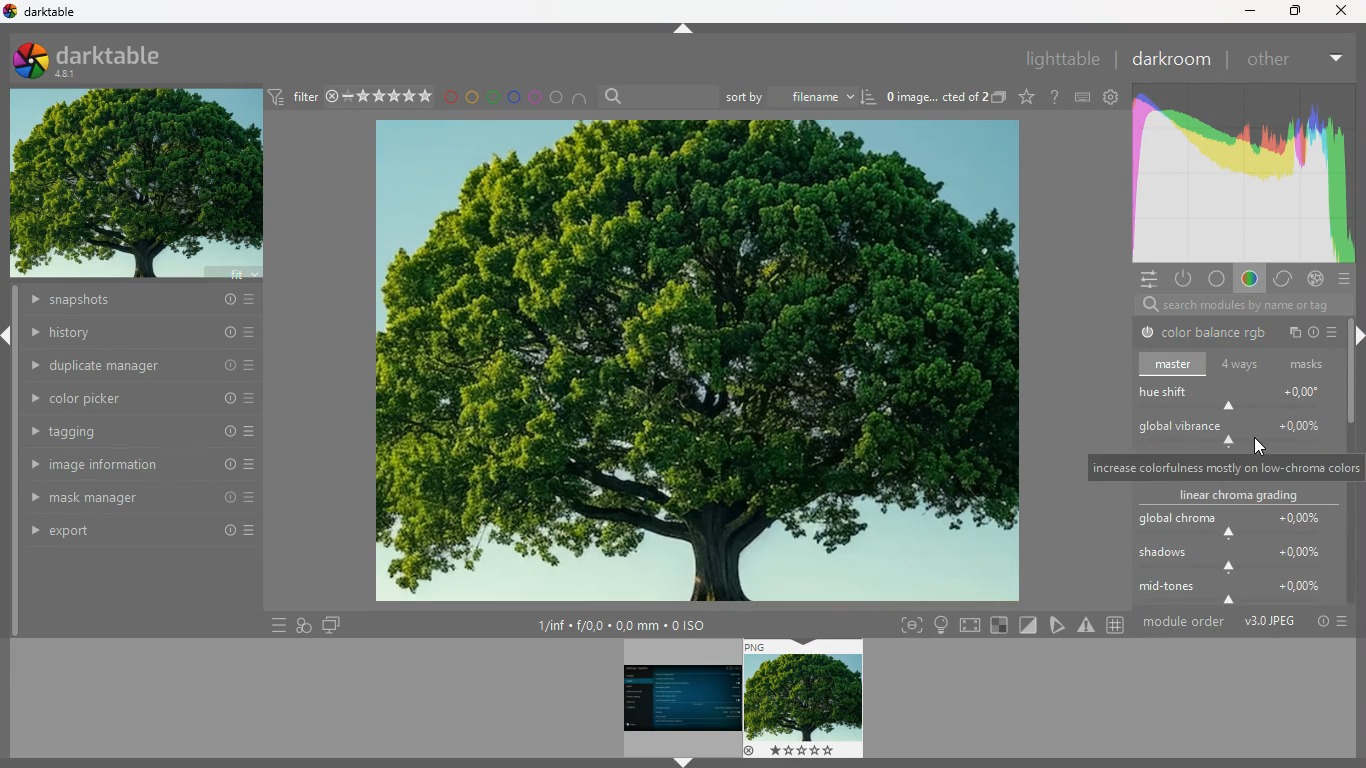  I want to click on darkroom, so click(1170, 59).